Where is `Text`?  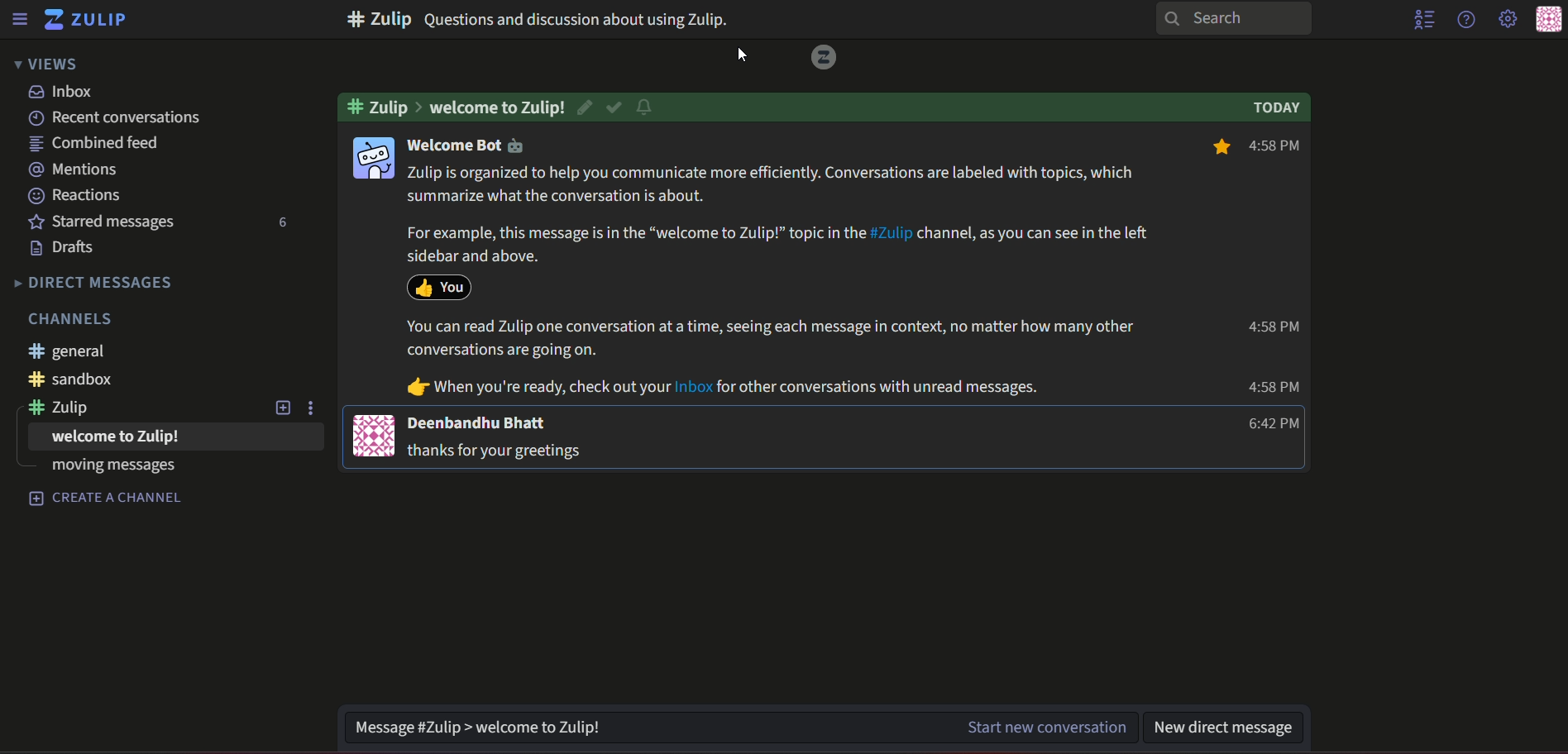
Text is located at coordinates (723, 389).